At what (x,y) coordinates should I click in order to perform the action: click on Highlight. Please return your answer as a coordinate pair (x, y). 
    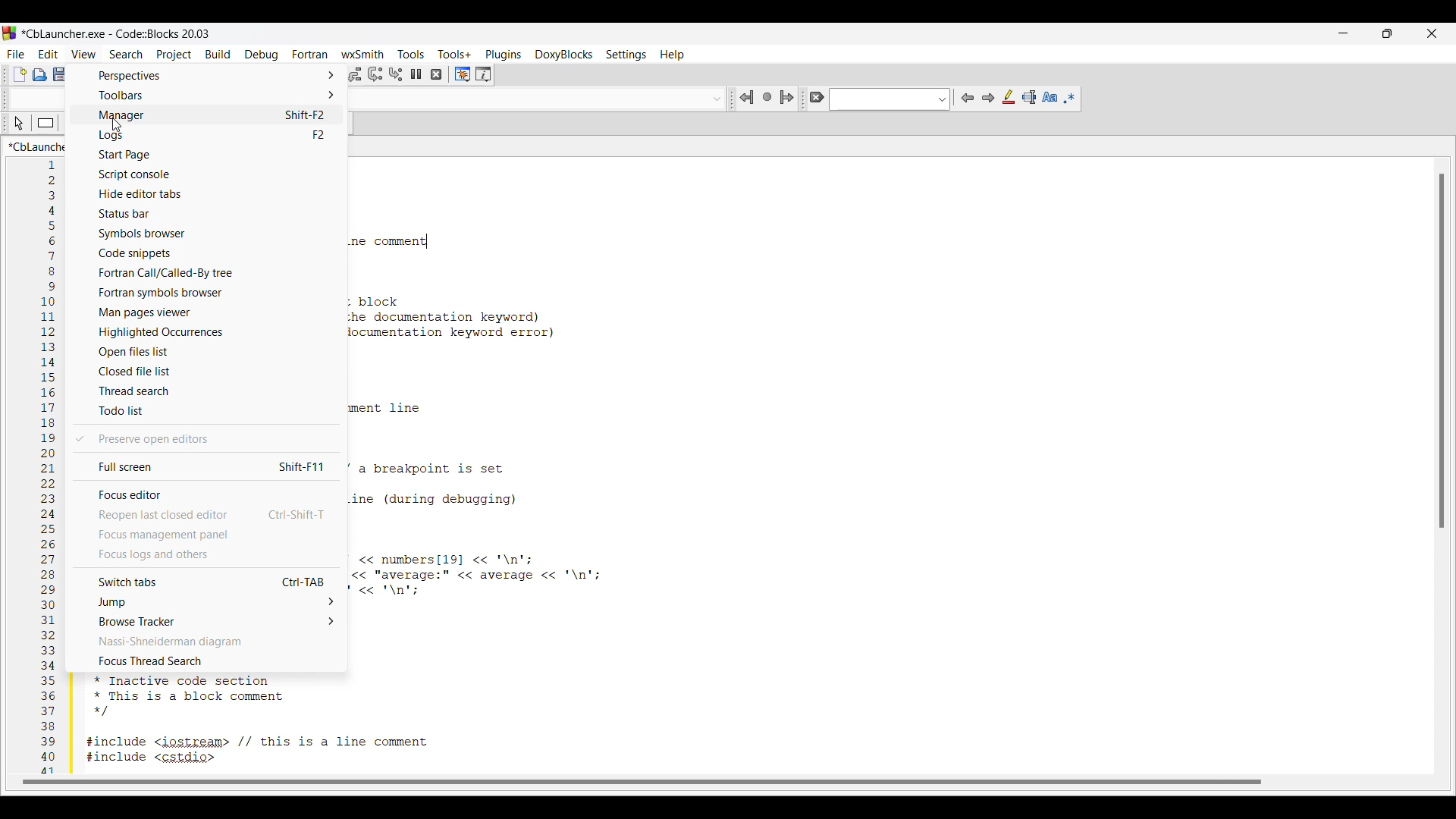
    Looking at the image, I should click on (1008, 97).